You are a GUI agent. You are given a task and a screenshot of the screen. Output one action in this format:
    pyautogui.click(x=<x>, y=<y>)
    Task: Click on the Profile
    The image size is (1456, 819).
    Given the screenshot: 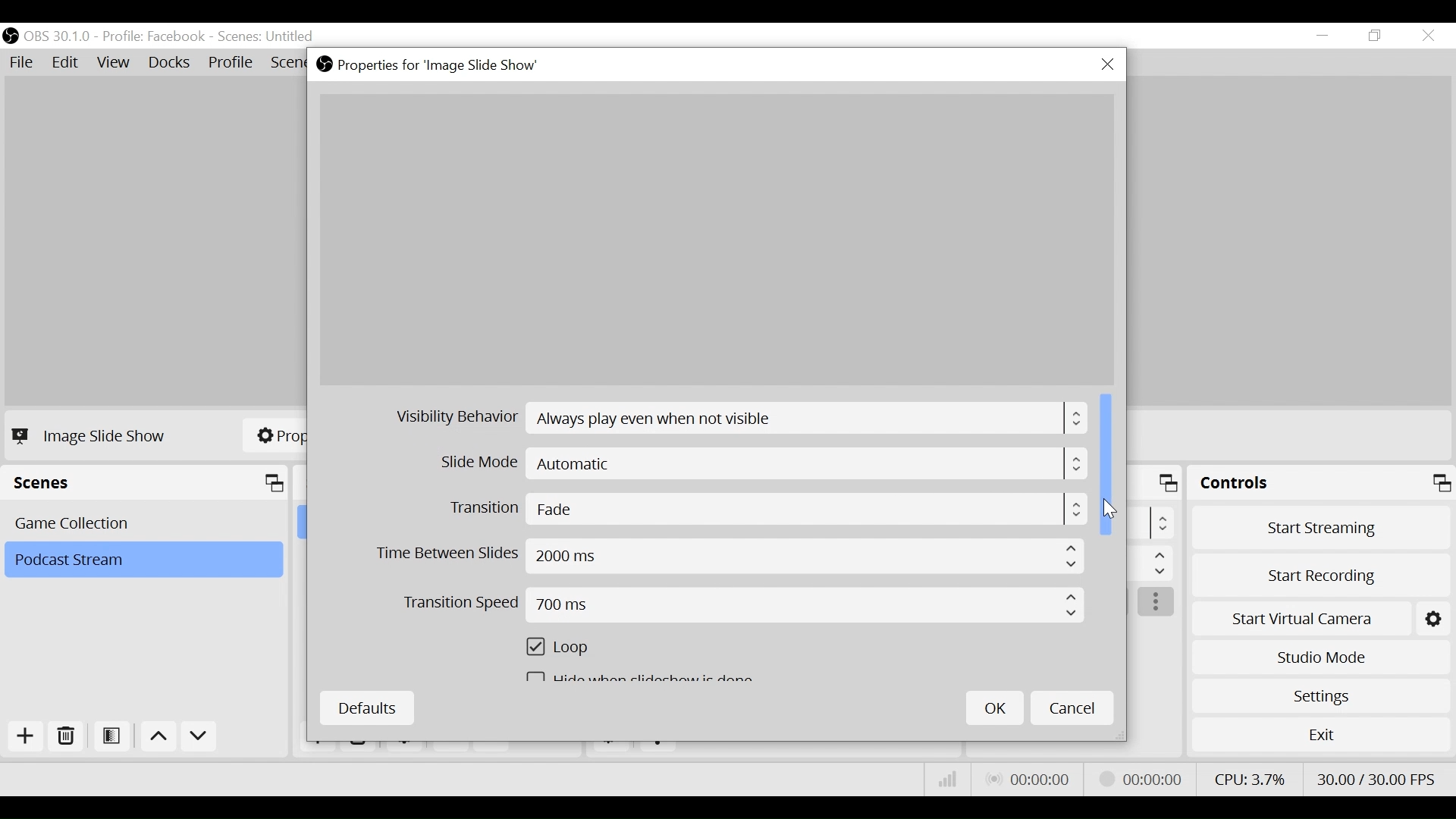 What is the action you would take?
    pyautogui.click(x=231, y=64)
    